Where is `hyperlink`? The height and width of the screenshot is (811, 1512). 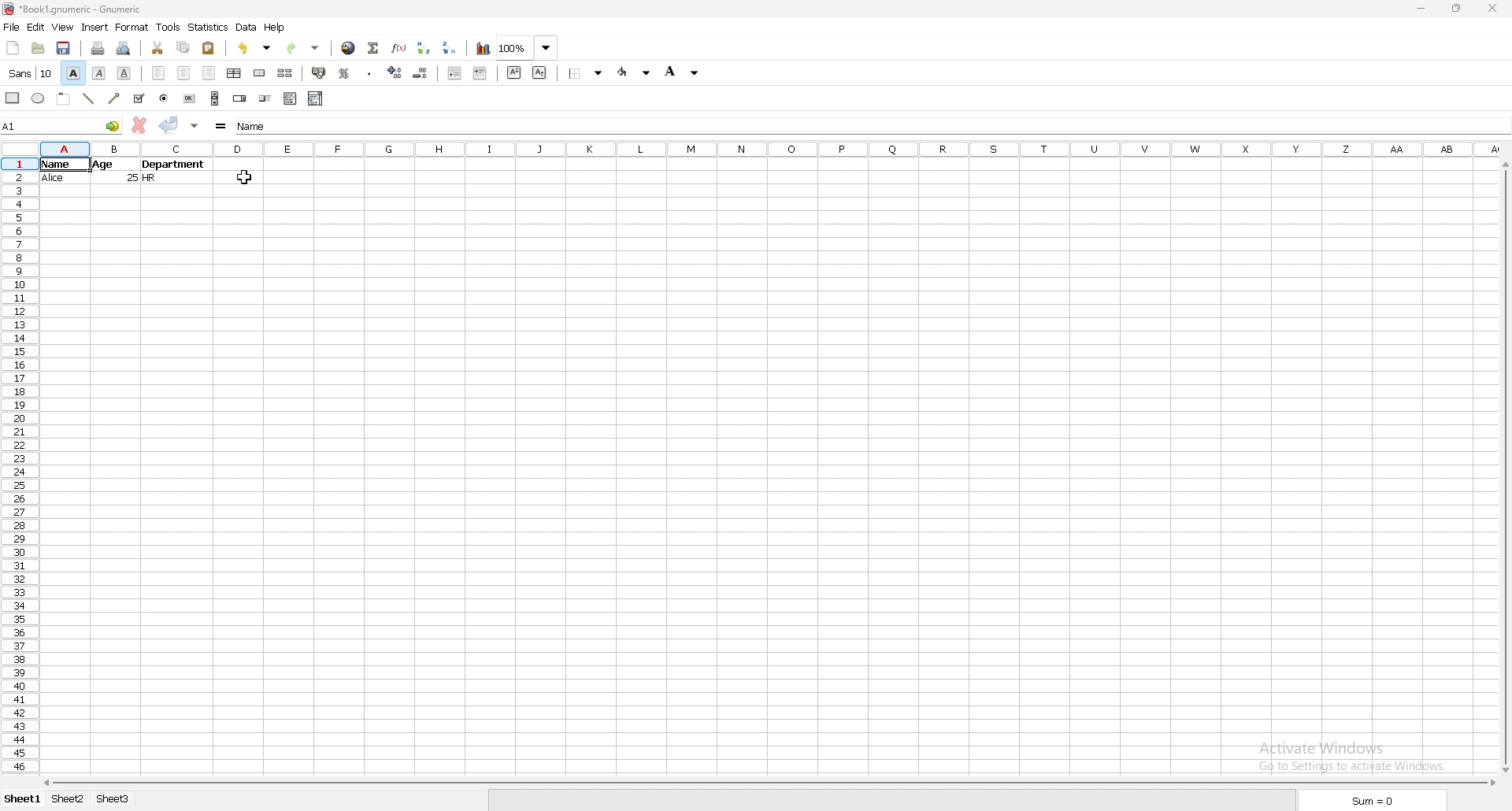 hyperlink is located at coordinates (349, 47).